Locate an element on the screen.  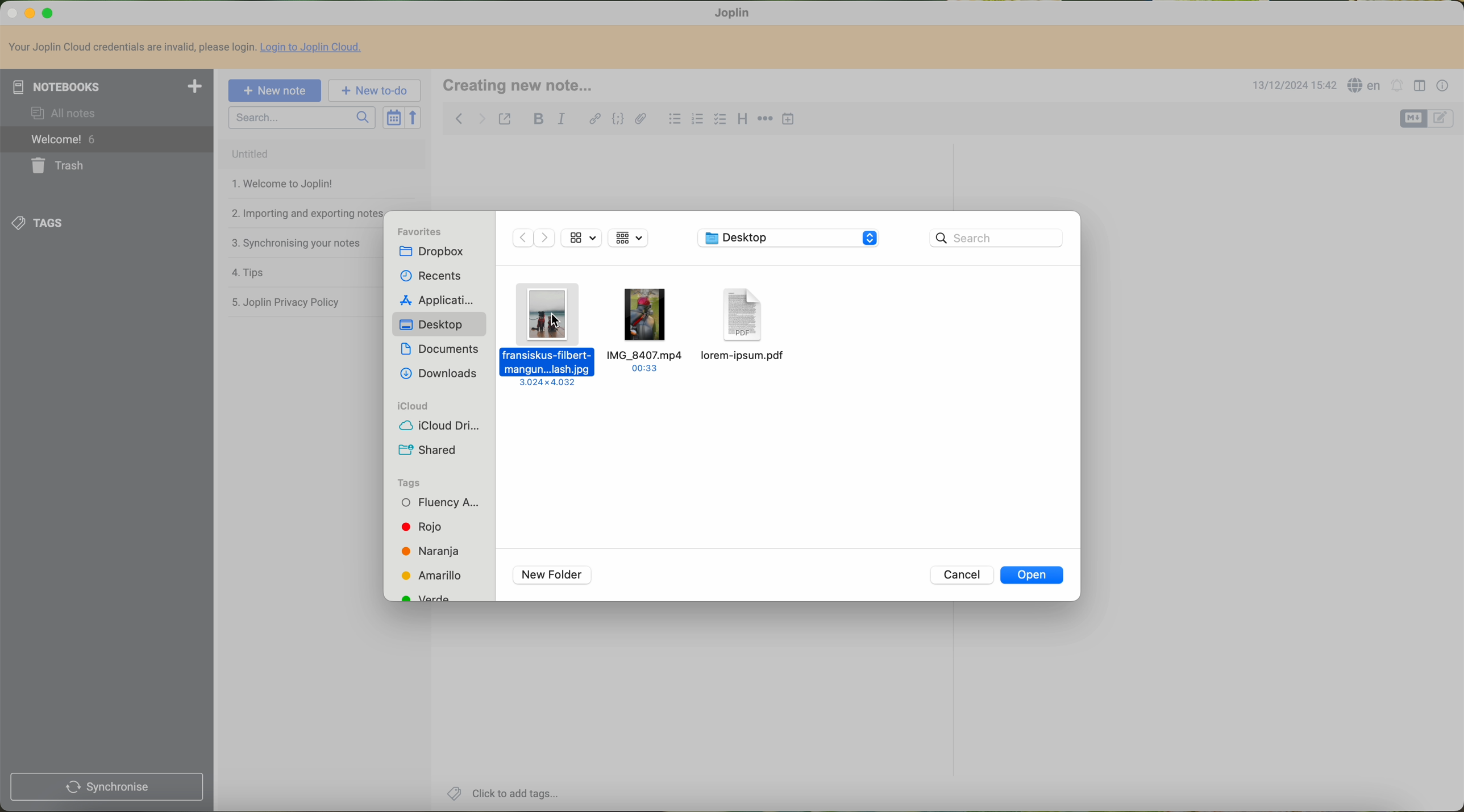
green tag is located at coordinates (435, 596).